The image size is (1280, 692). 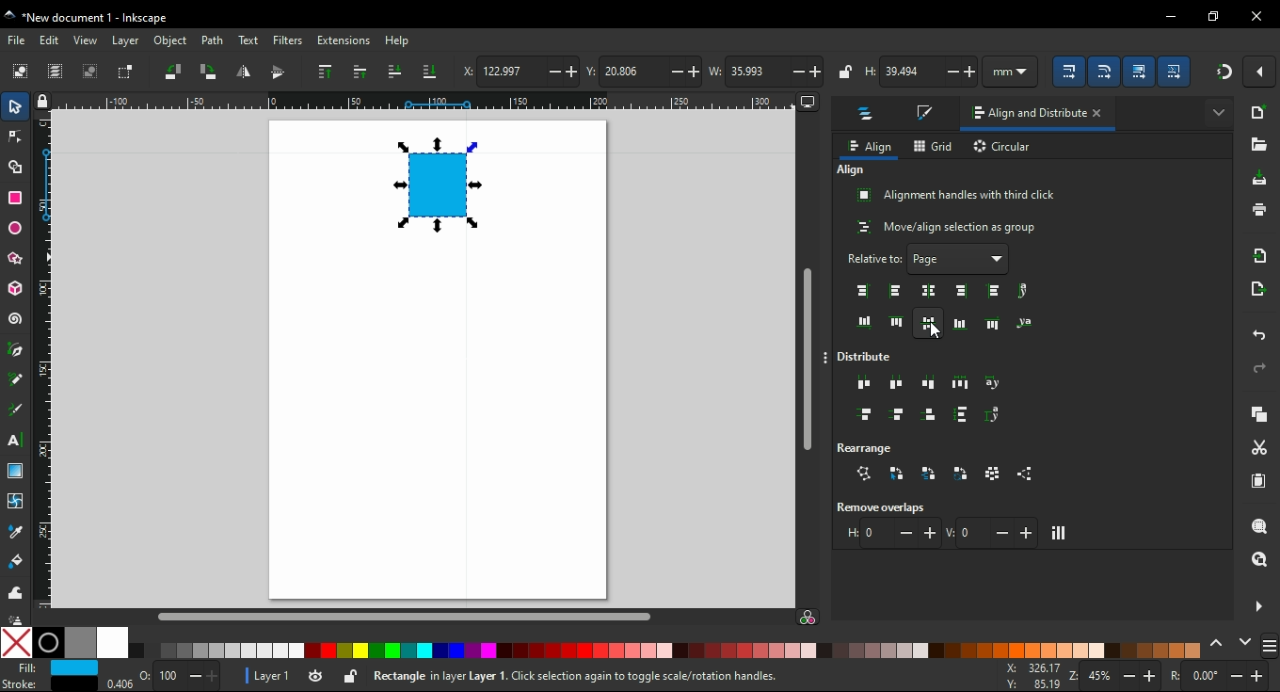 I want to click on move/align selection as group, so click(x=948, y=227).